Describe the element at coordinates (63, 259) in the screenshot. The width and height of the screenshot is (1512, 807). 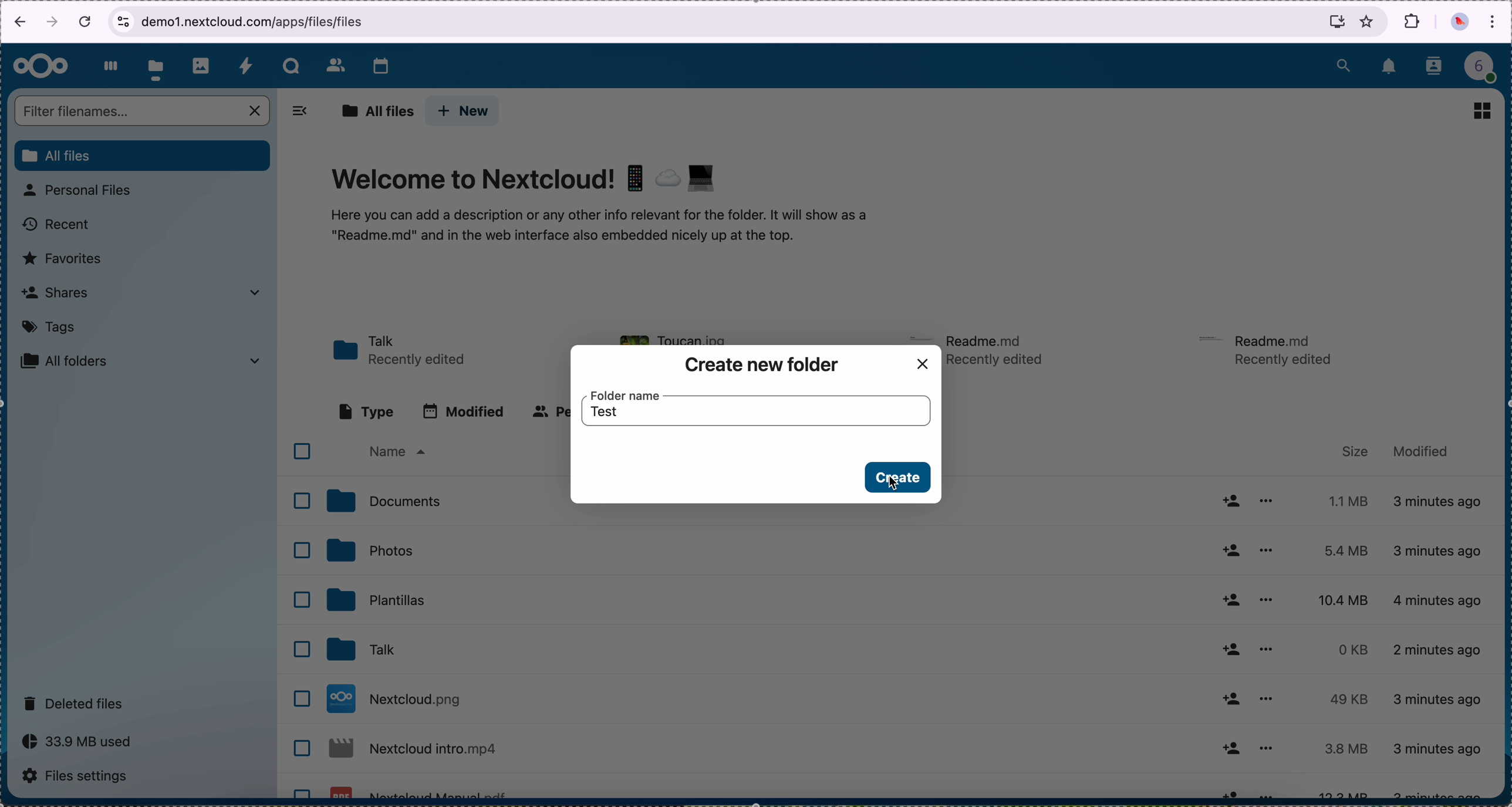
I see `favorites` at that location.